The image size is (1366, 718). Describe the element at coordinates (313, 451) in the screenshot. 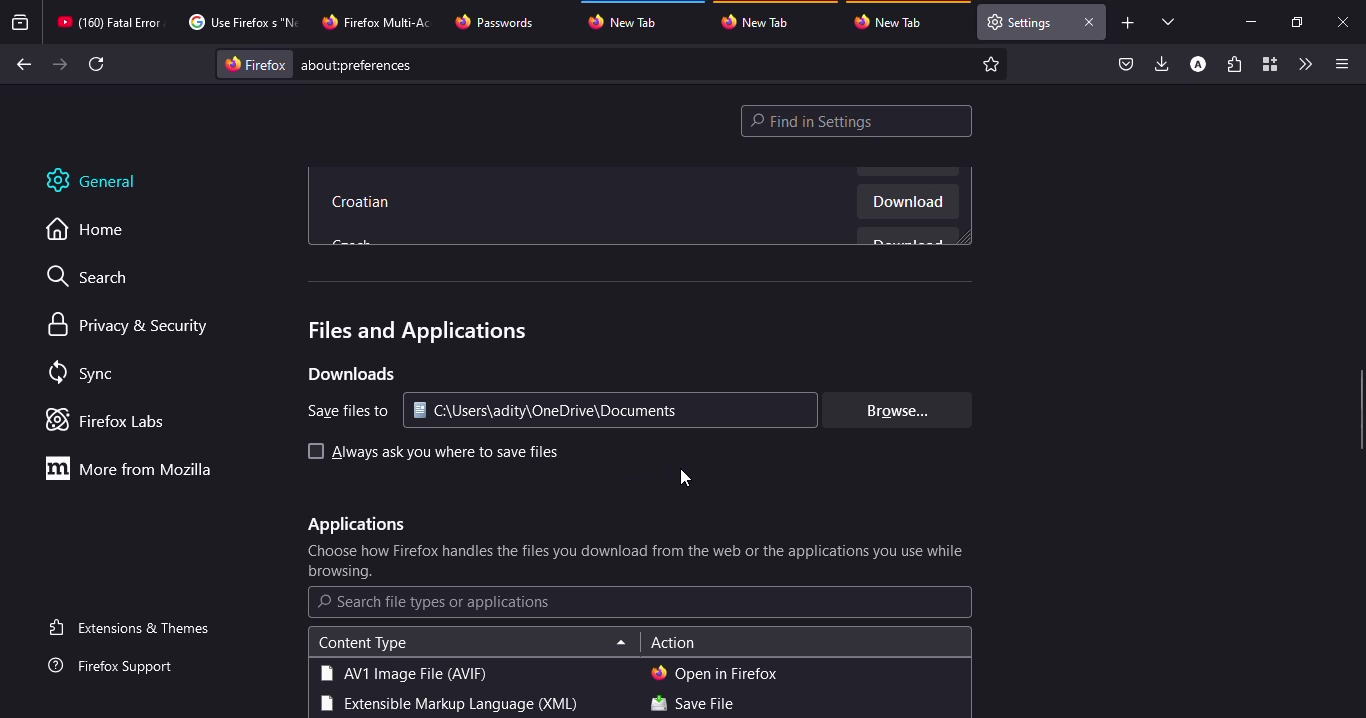

I see `select` at that location.